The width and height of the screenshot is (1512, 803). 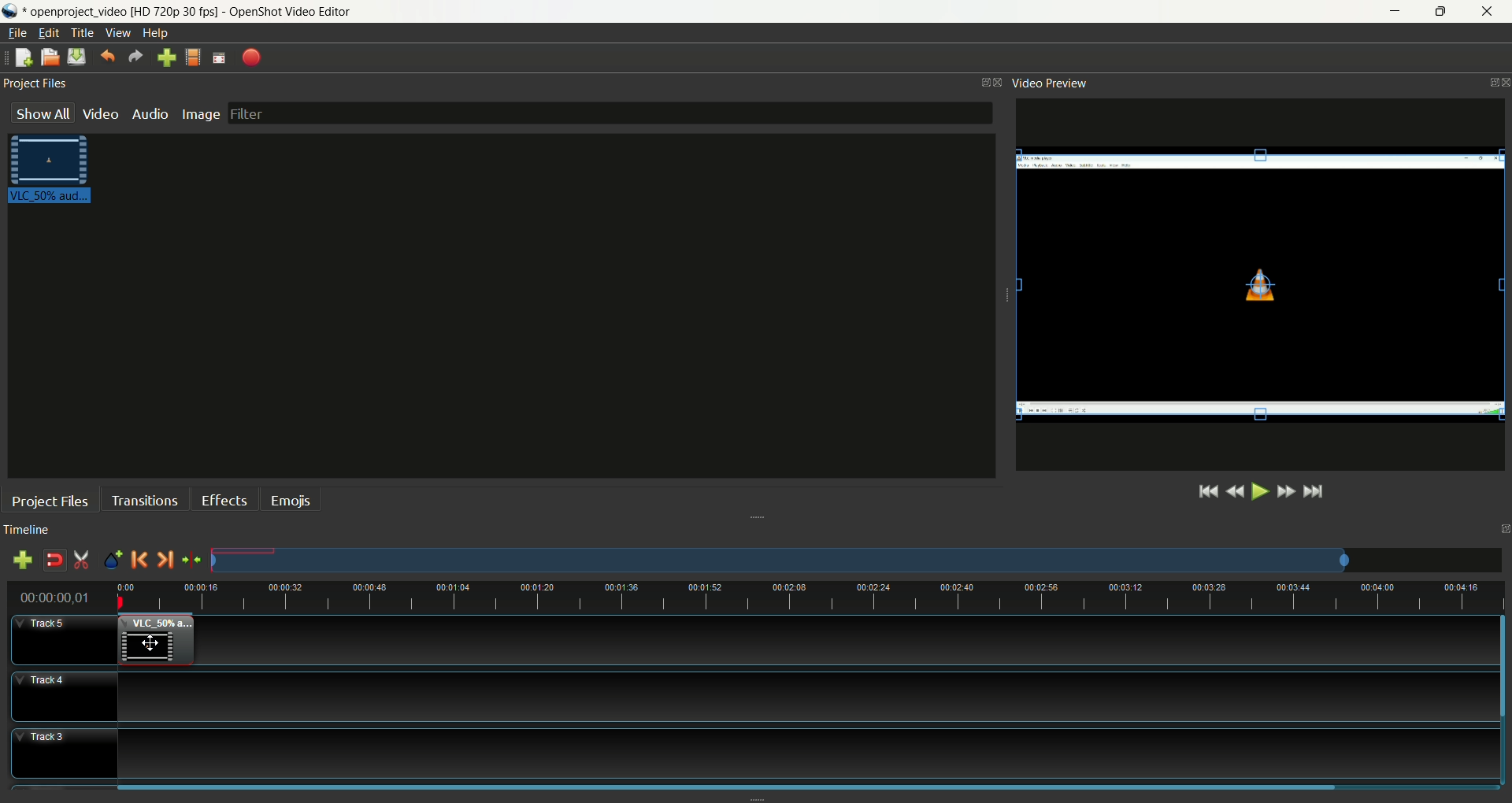 What do you see at coordinates (50, 59) in the screenshot?
I see `open project` at bounding box center [50, 59].